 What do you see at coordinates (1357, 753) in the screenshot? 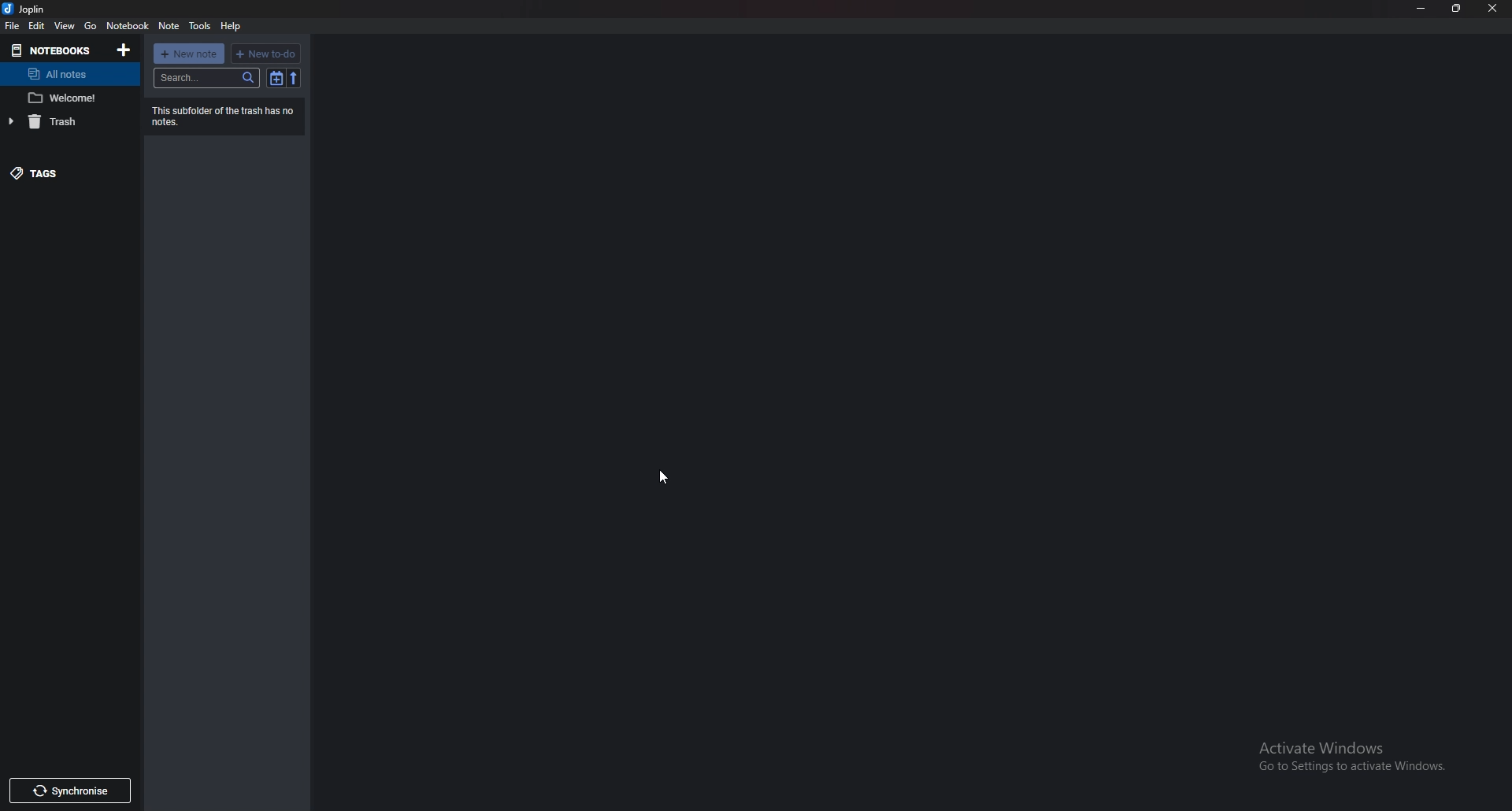
I see `Activate windows pop up` at bounding box center [1357, 753].